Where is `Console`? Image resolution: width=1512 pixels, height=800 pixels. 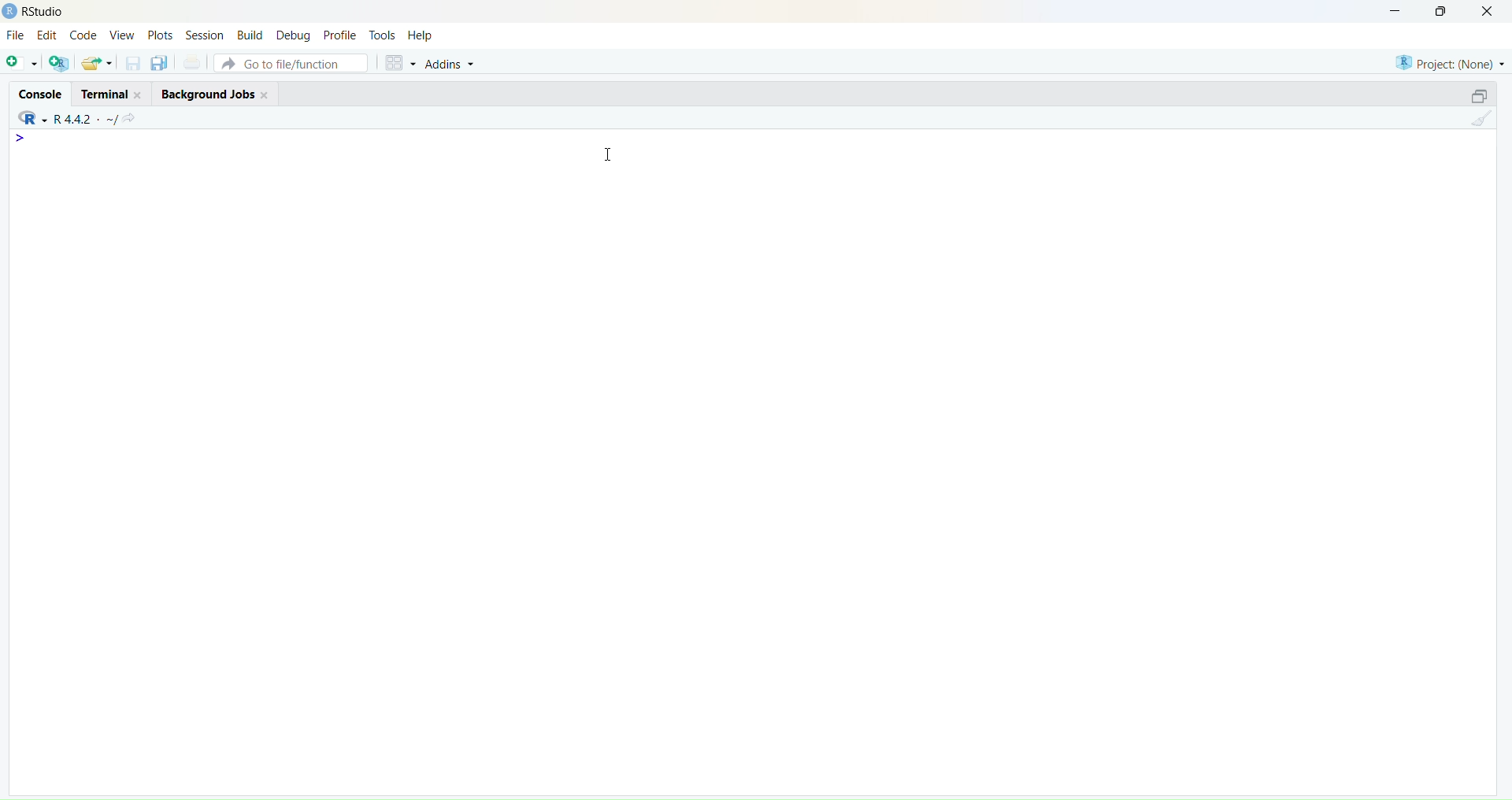
Console is located at coordinates (37, 91).